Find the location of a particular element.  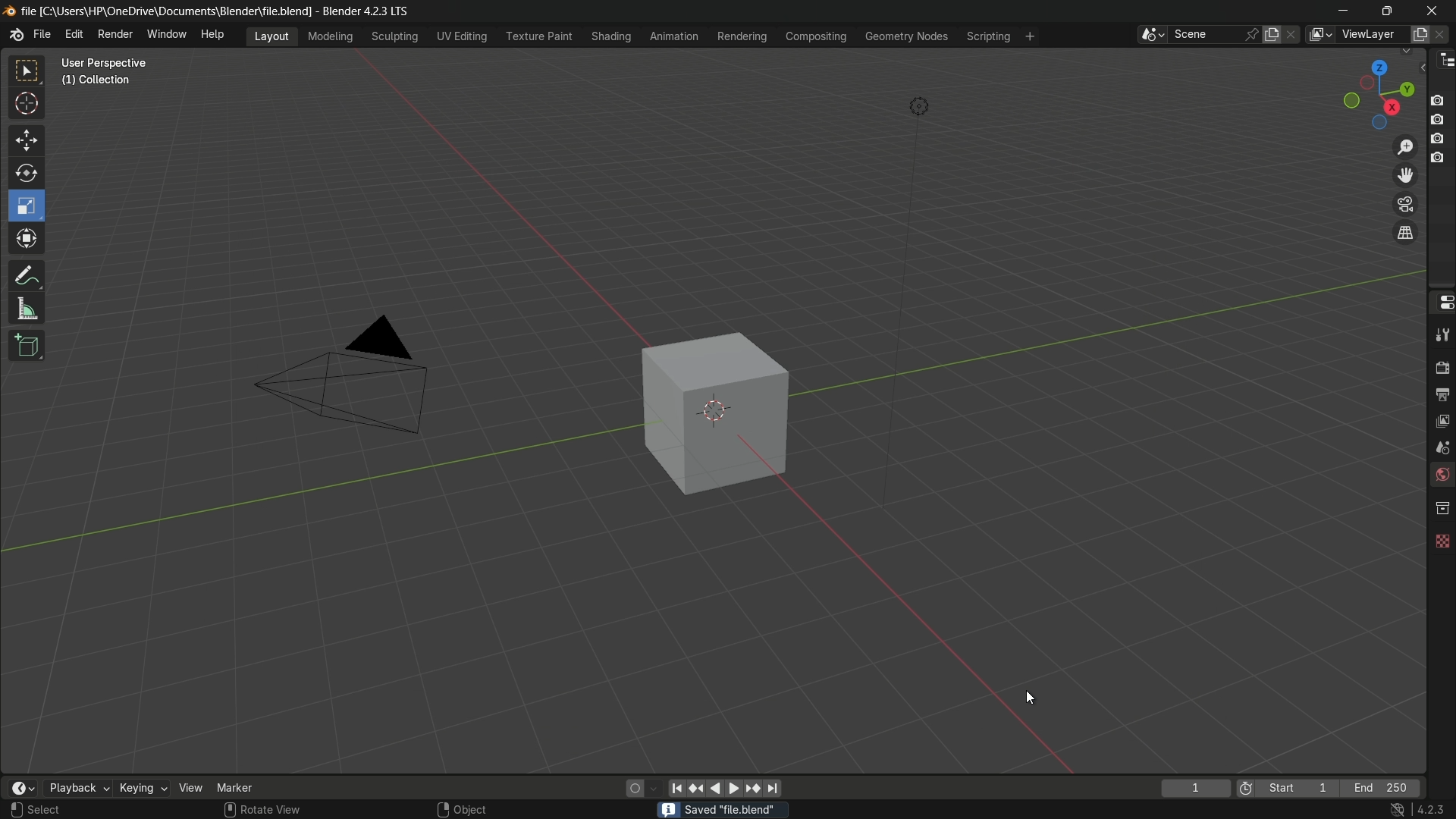

animation menu is located at coordinates (674, 36).